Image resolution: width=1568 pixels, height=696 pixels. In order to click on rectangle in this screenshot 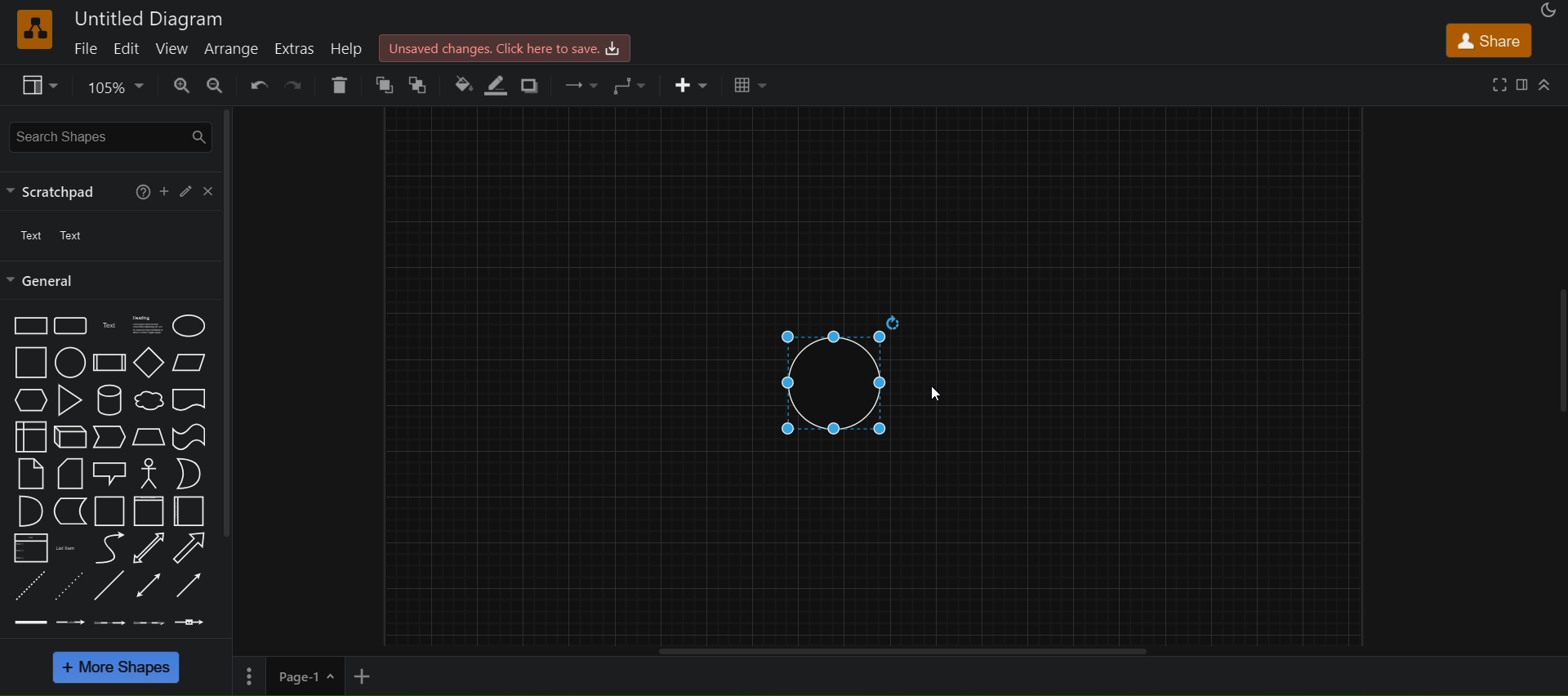, I will do `click(26, 327)`.